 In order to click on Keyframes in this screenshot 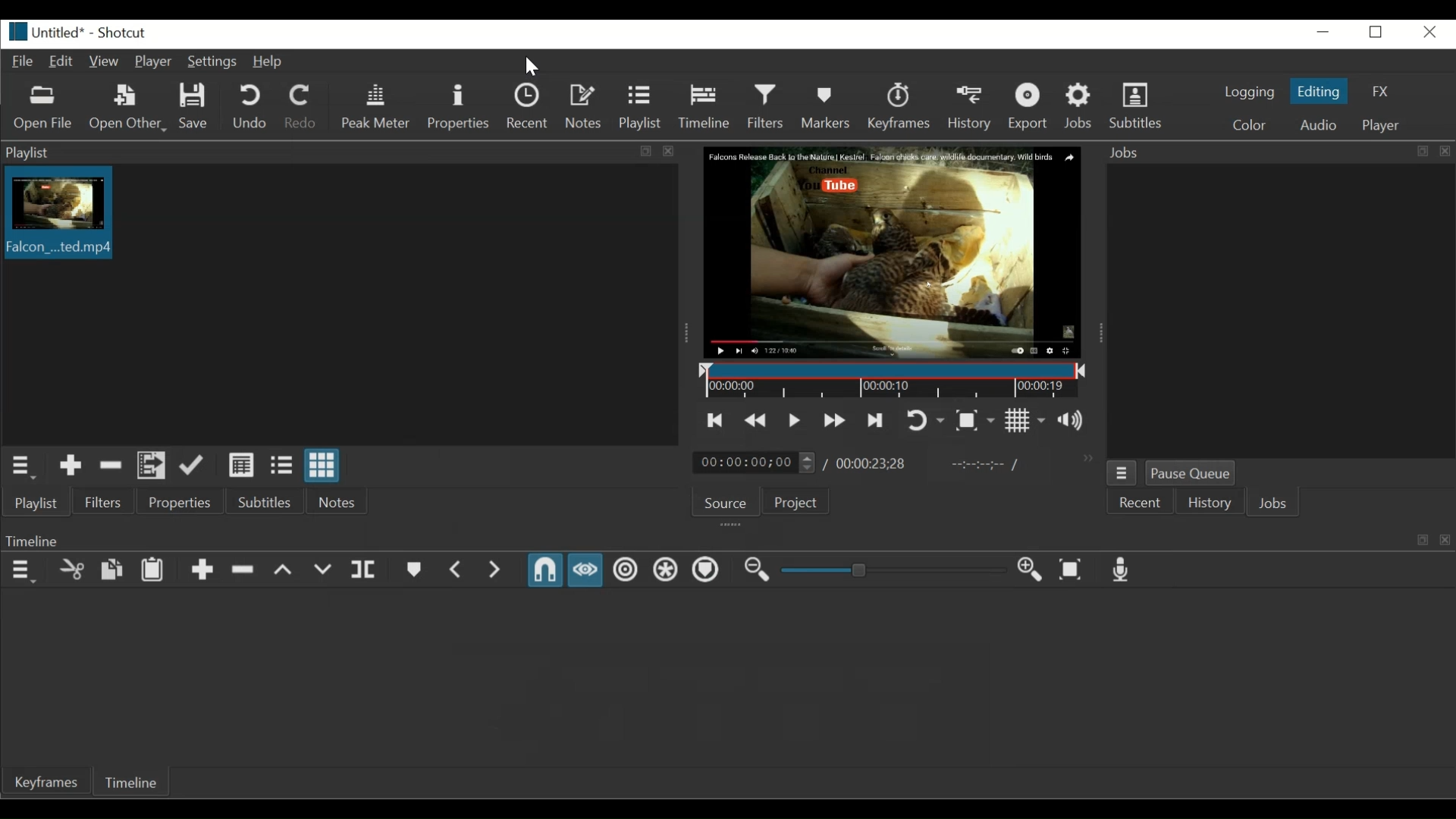, I will do `click(899, 108)`.